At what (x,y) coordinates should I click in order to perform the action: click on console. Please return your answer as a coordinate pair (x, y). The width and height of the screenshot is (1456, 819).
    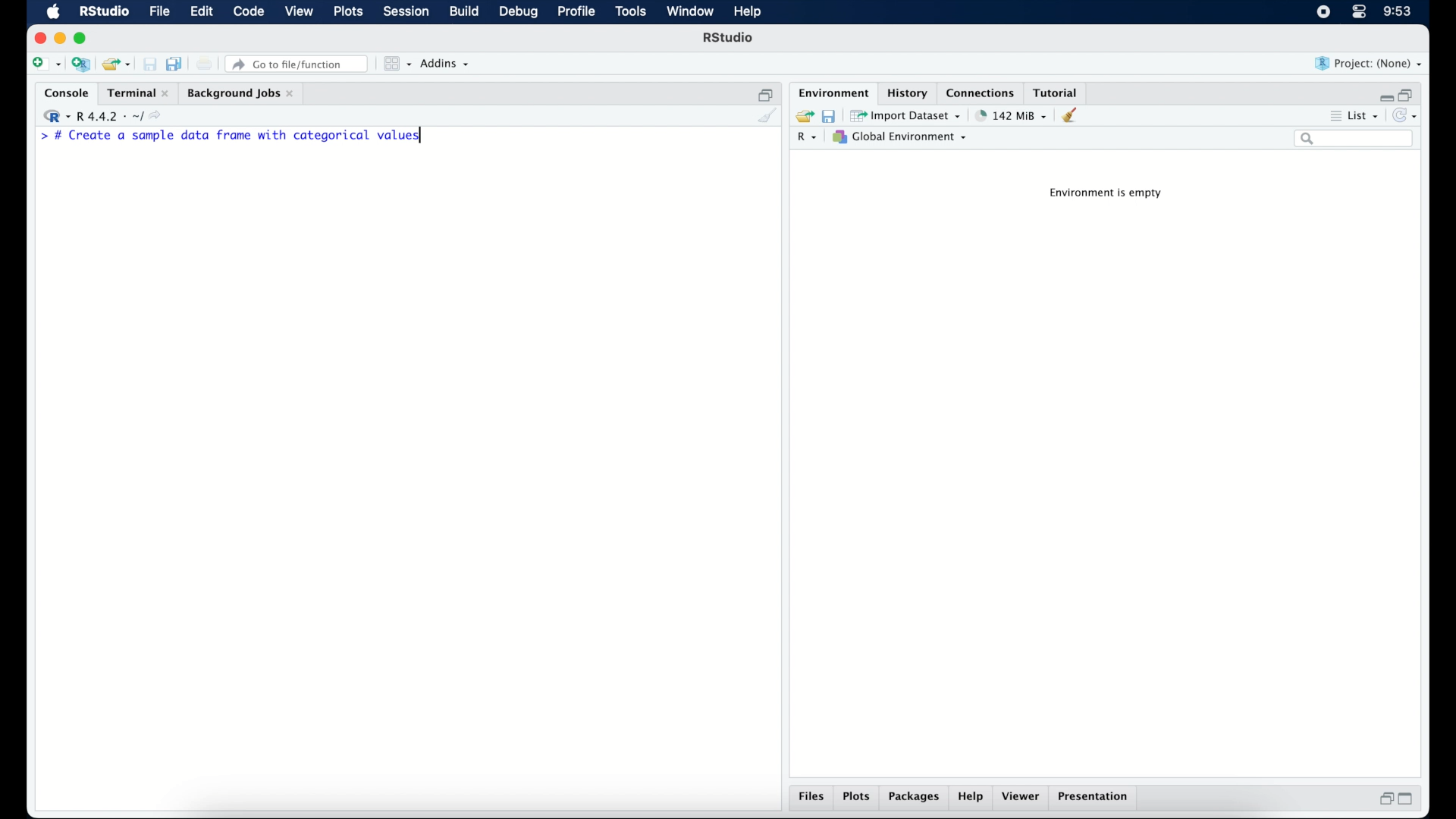
    Looking at the image, I should click on (63, 92).